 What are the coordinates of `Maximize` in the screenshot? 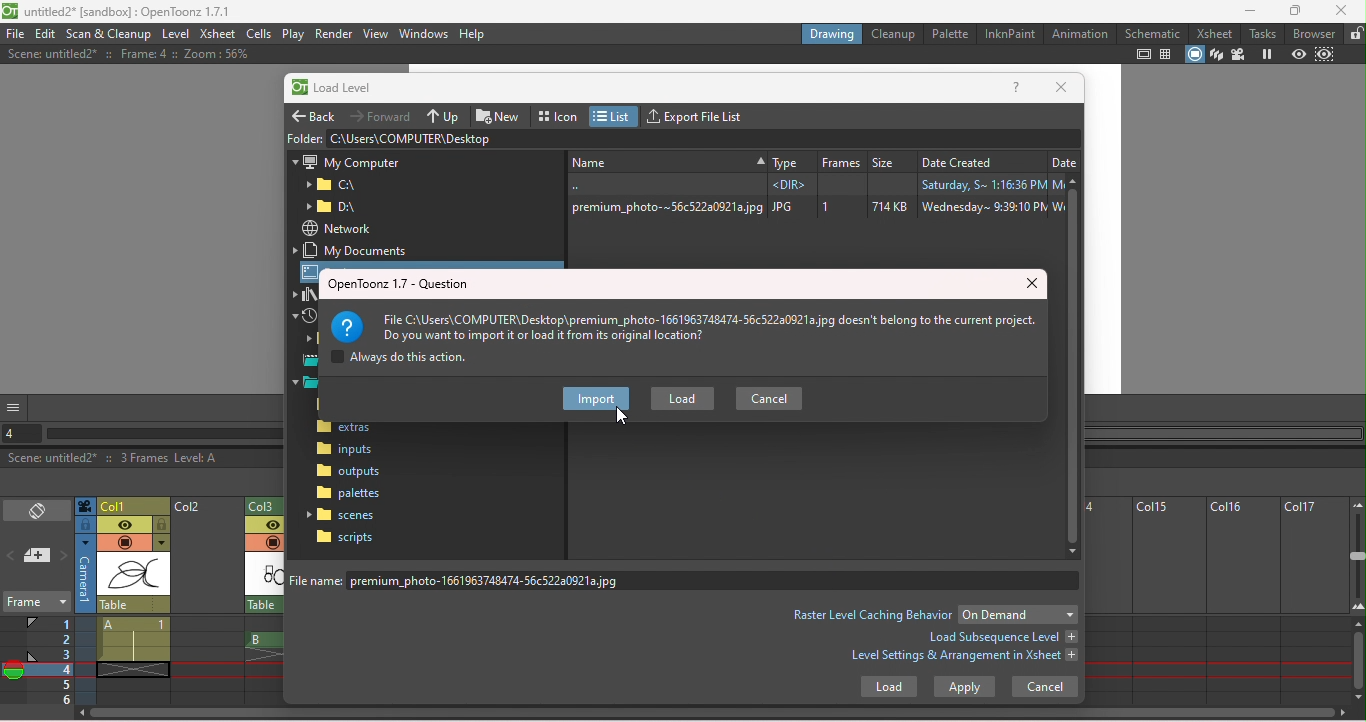 It's located at (1298, 11).